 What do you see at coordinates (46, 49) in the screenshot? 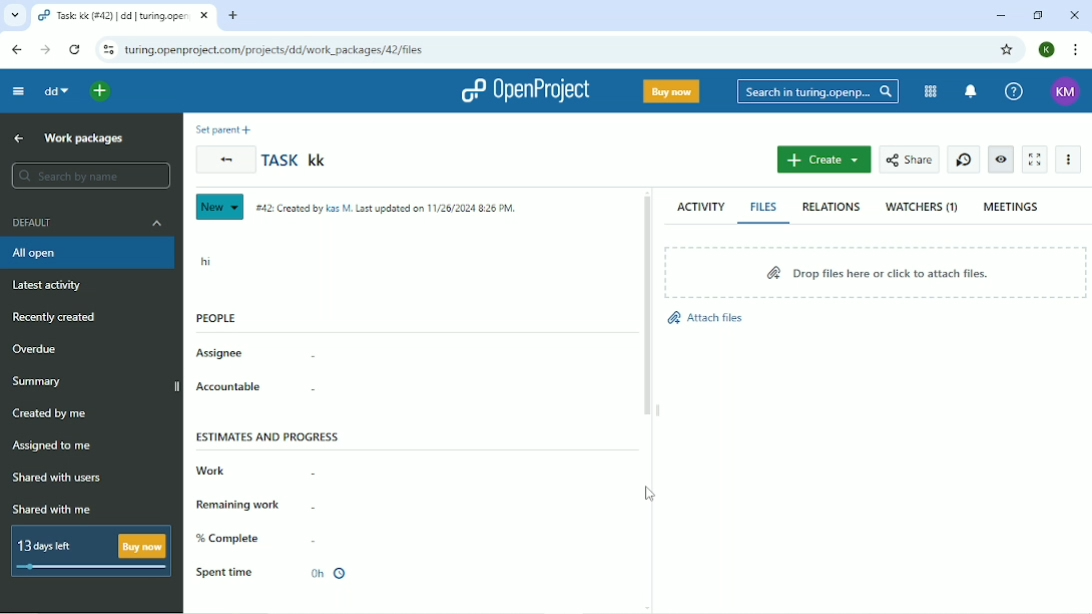
I see `Forward` at bounding box center [46, 49].